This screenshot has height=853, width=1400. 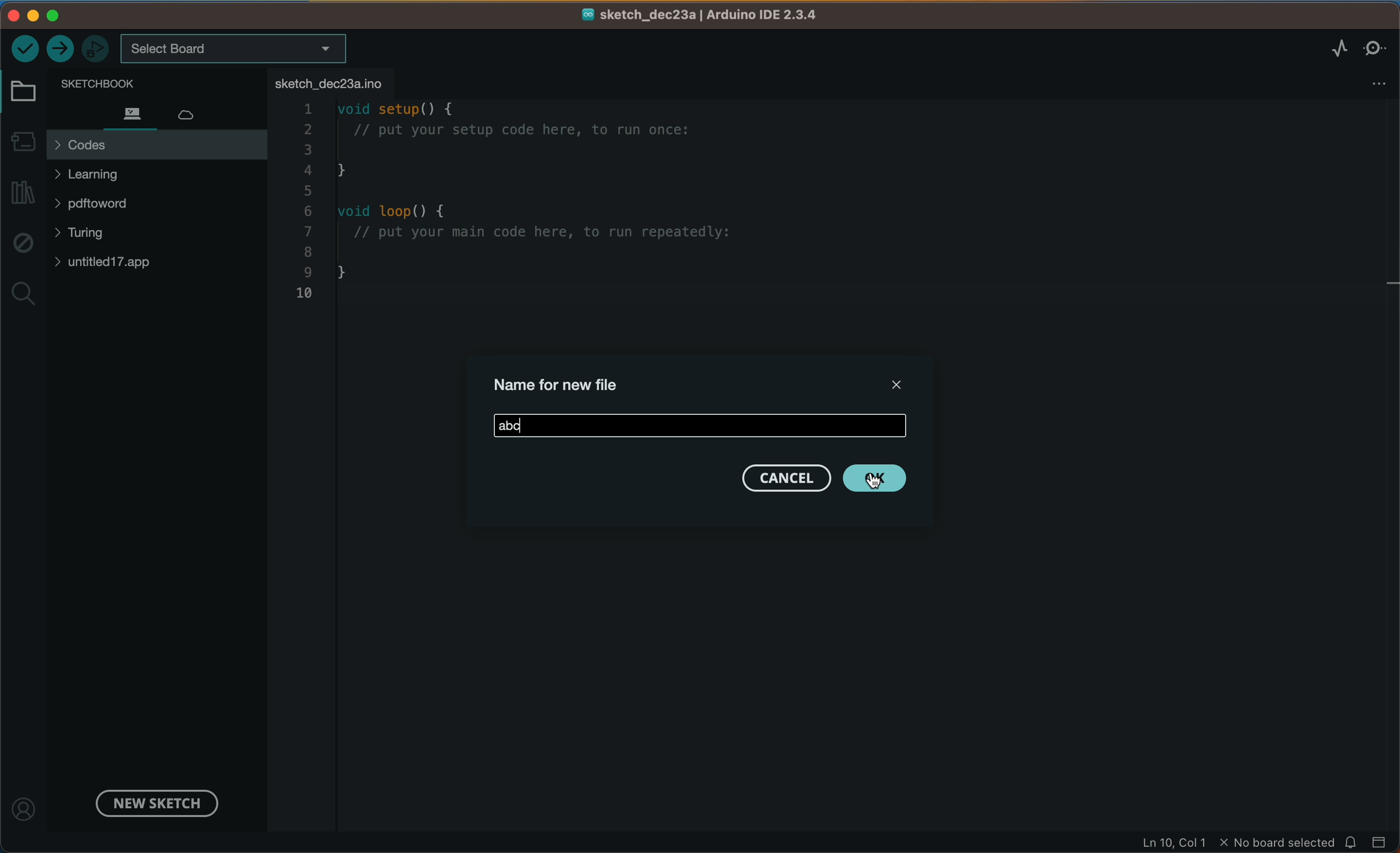 I want to click on file setting, so click(x=1369, y=84).